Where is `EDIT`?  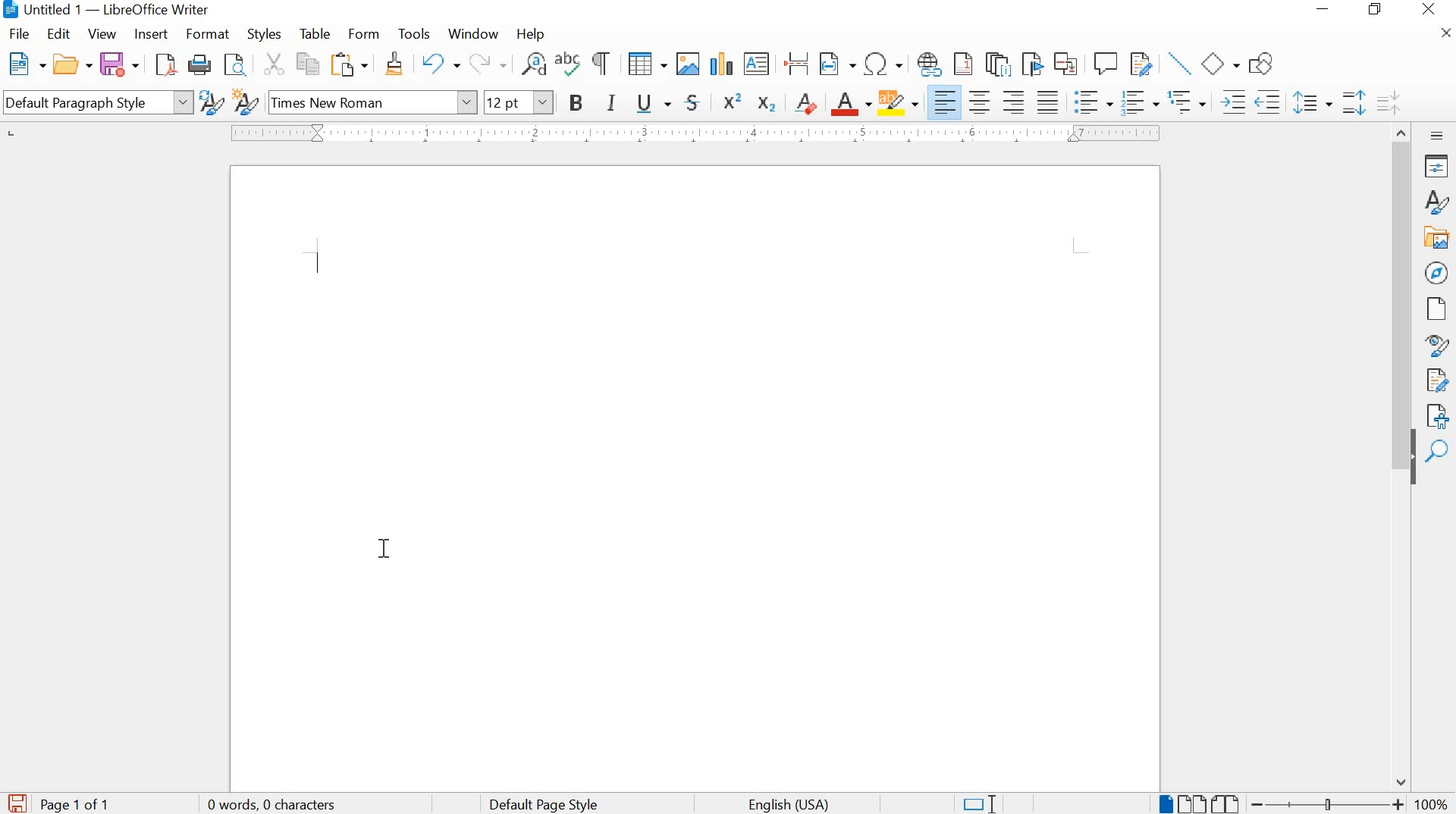 EDIT is located at coordinates (58, 36).